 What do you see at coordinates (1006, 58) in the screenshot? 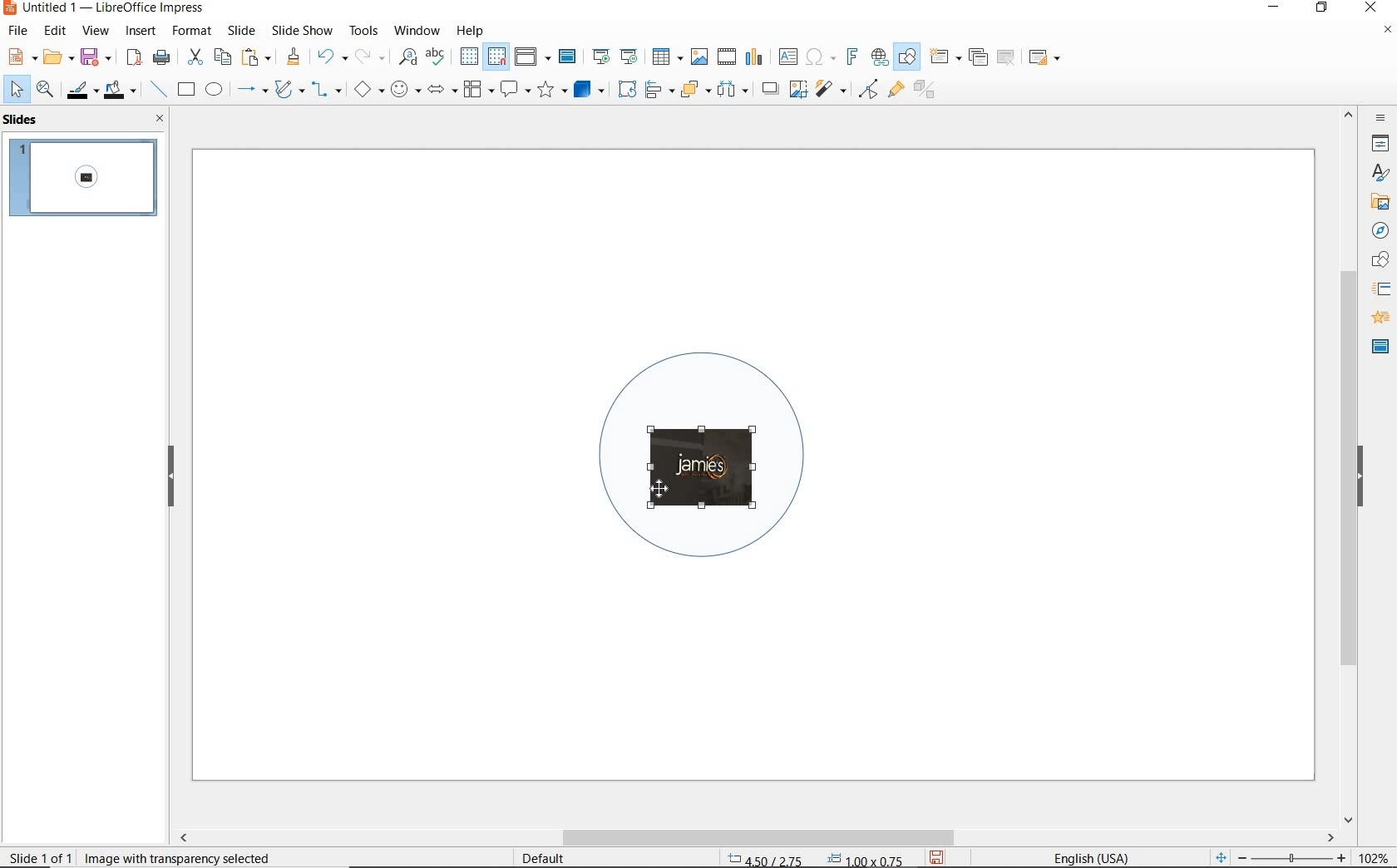
I see `delete slide` at bounding box center [1006, 58].